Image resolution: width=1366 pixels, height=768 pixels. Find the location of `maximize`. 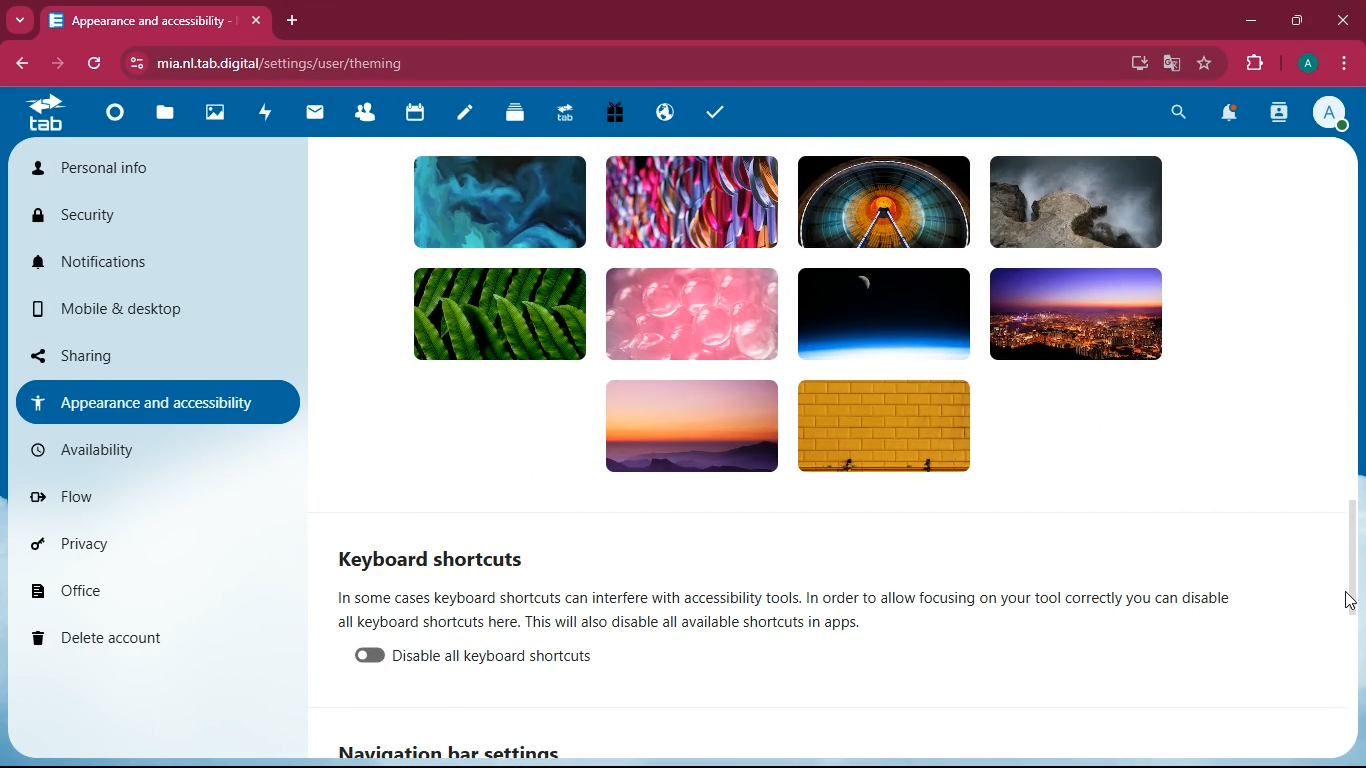

maximize is located at coordinates (1297, 22).